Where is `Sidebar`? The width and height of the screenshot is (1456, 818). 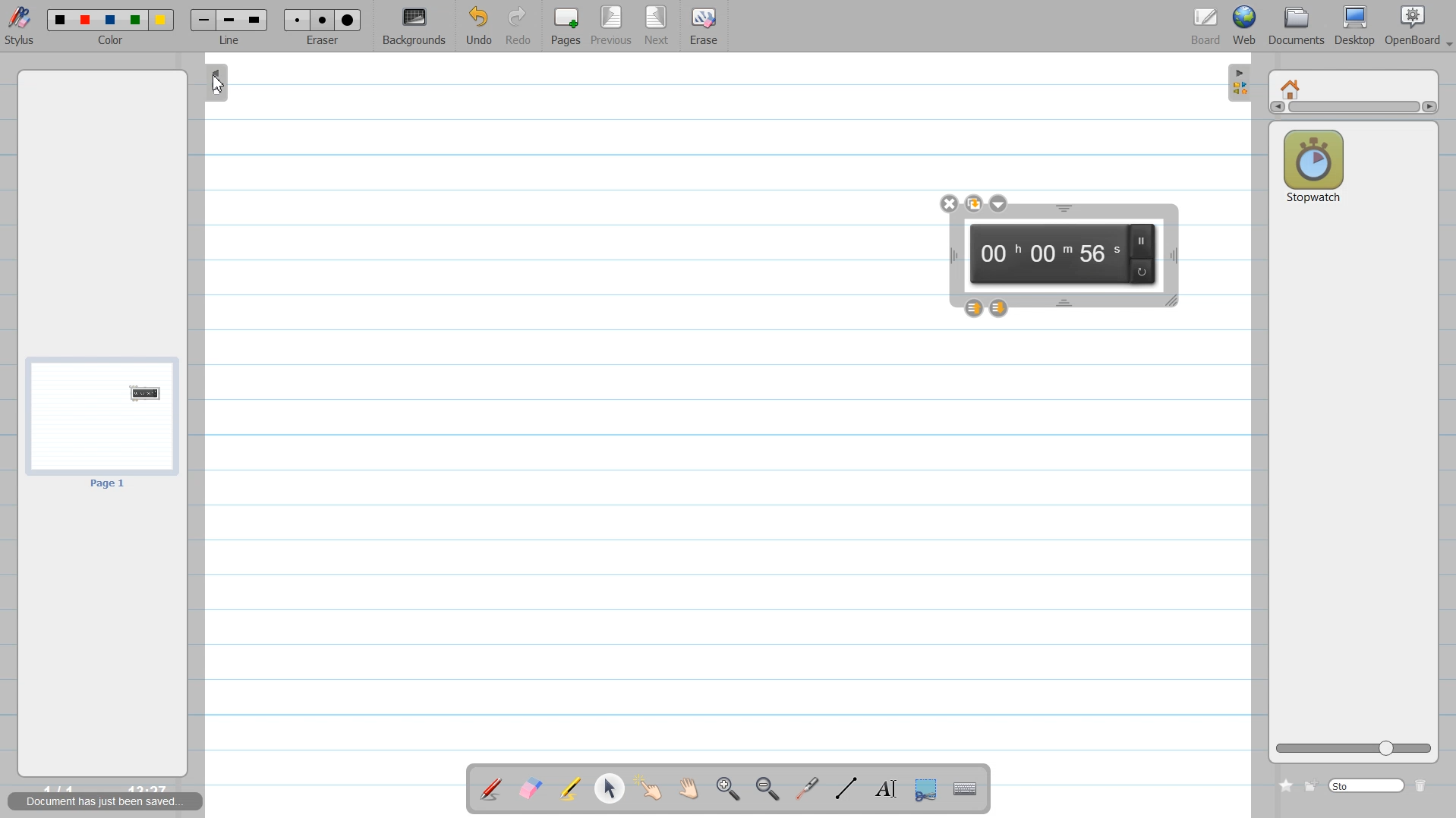
Sidebar is located at coordinates (1237, 83).